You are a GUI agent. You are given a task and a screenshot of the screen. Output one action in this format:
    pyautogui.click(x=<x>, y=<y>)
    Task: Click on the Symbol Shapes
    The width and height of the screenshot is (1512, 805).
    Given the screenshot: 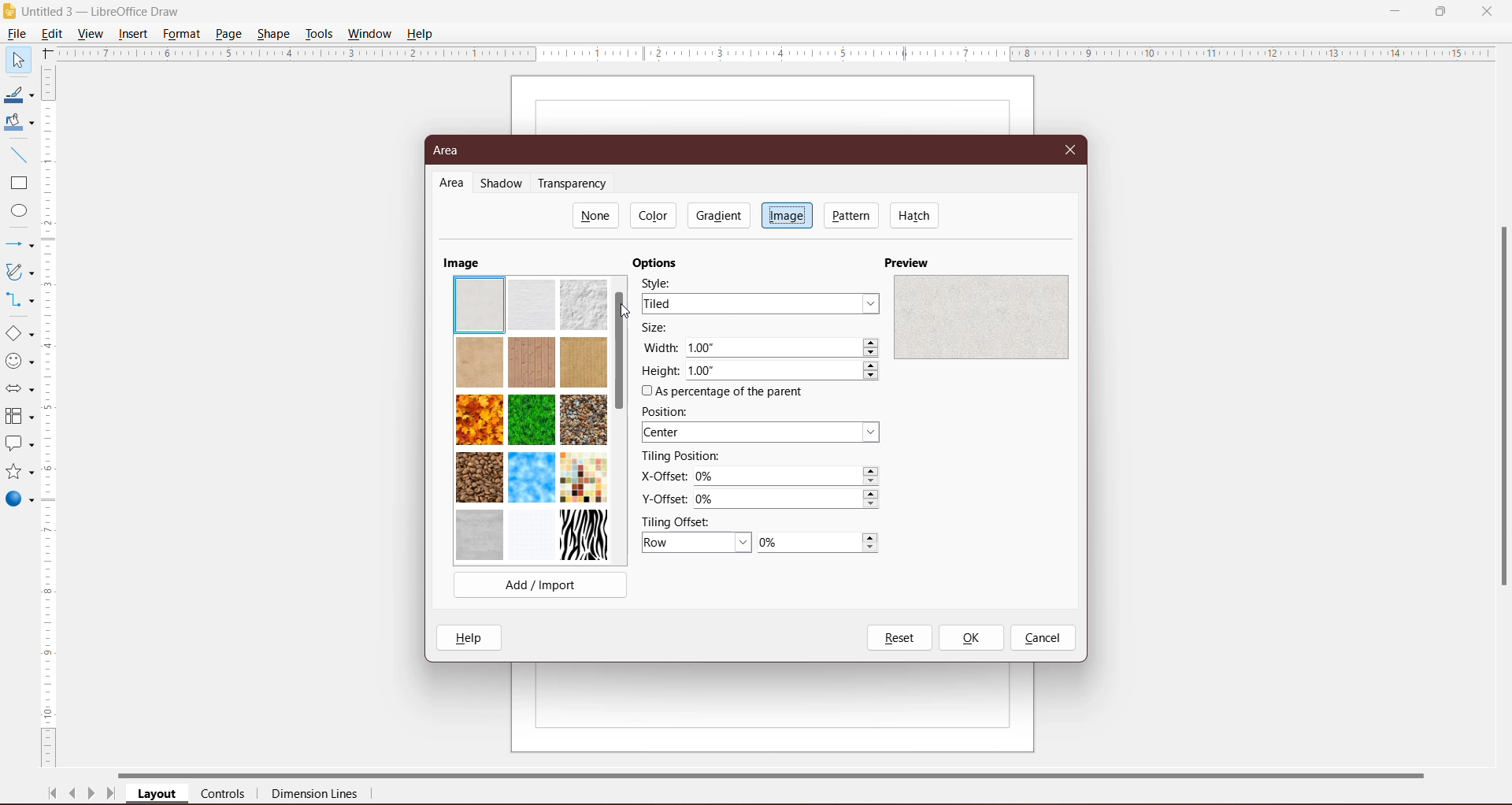 What is the action you would take?
    pyautogui.click(x=19, y=362)
    